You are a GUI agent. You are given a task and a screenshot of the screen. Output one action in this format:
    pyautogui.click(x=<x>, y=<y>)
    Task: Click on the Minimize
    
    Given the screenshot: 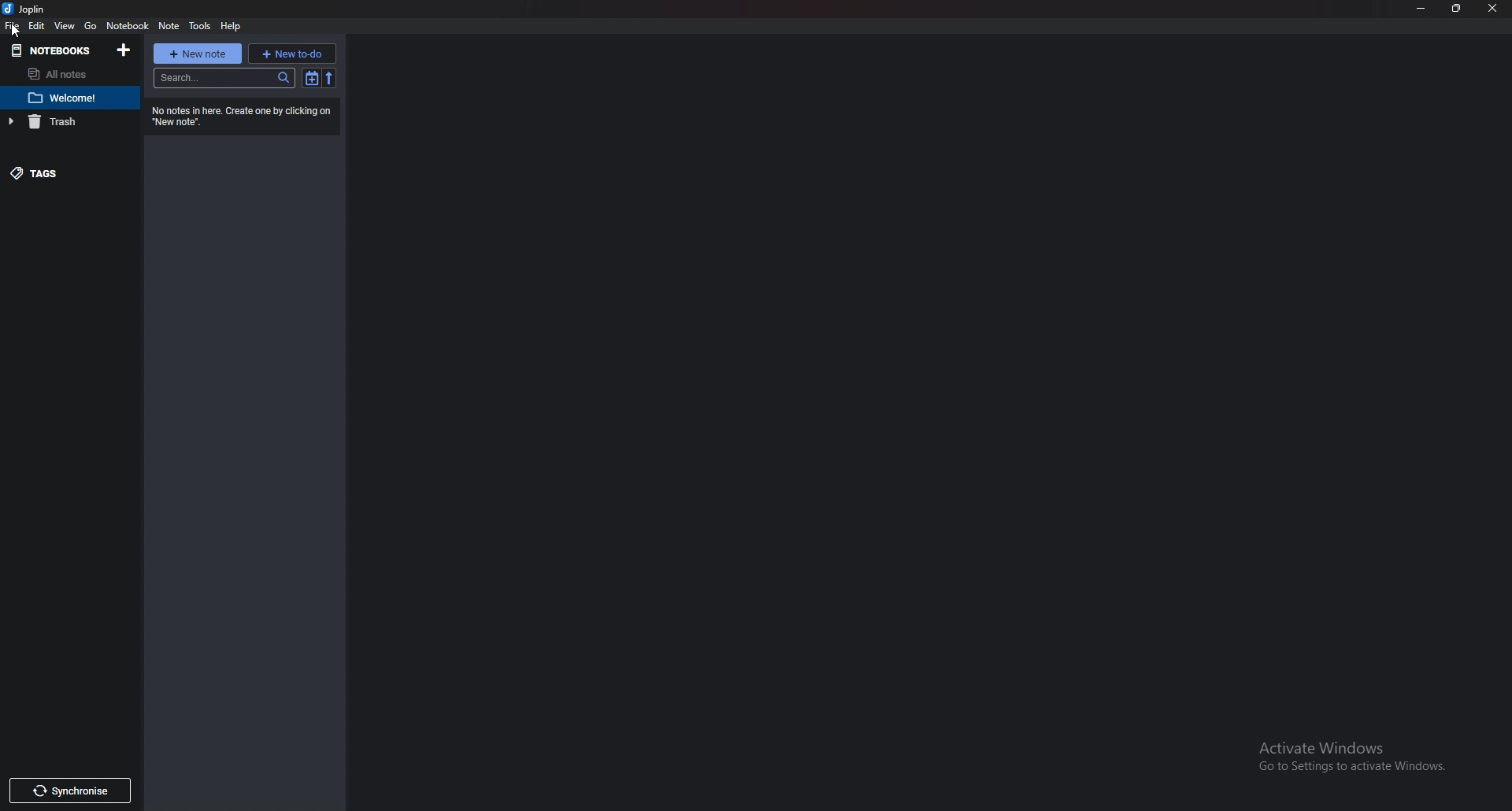 What is the action you would take?
    pyautogui.click(x=1424, y=7)
    